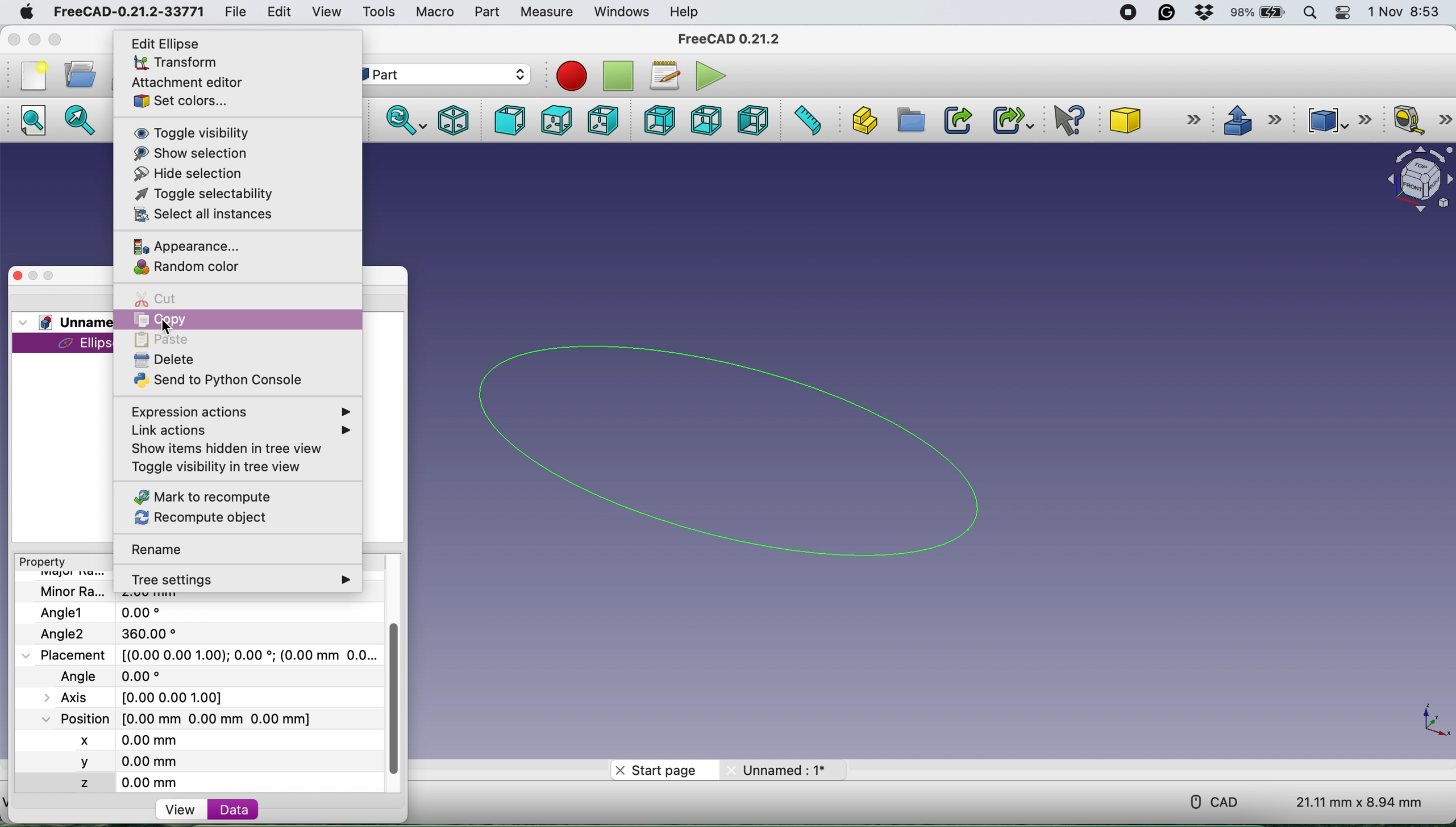 The height and width of the screenshot is (827, 1456). Describe the element at coordinates (1336, 120) in the screenshot. I see `compound tools` at that location.